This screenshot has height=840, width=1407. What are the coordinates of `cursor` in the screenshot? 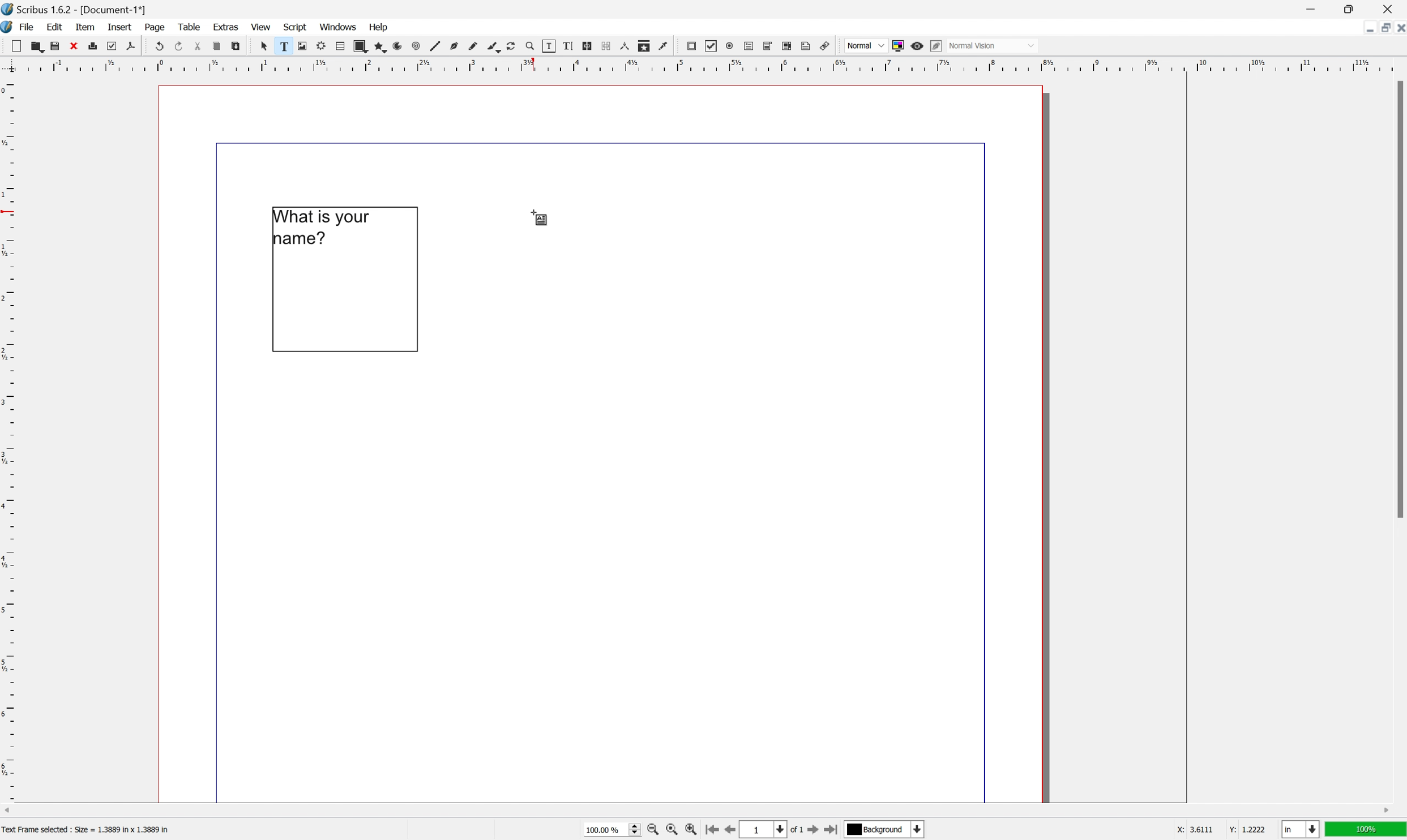 It's located at (542, 216).